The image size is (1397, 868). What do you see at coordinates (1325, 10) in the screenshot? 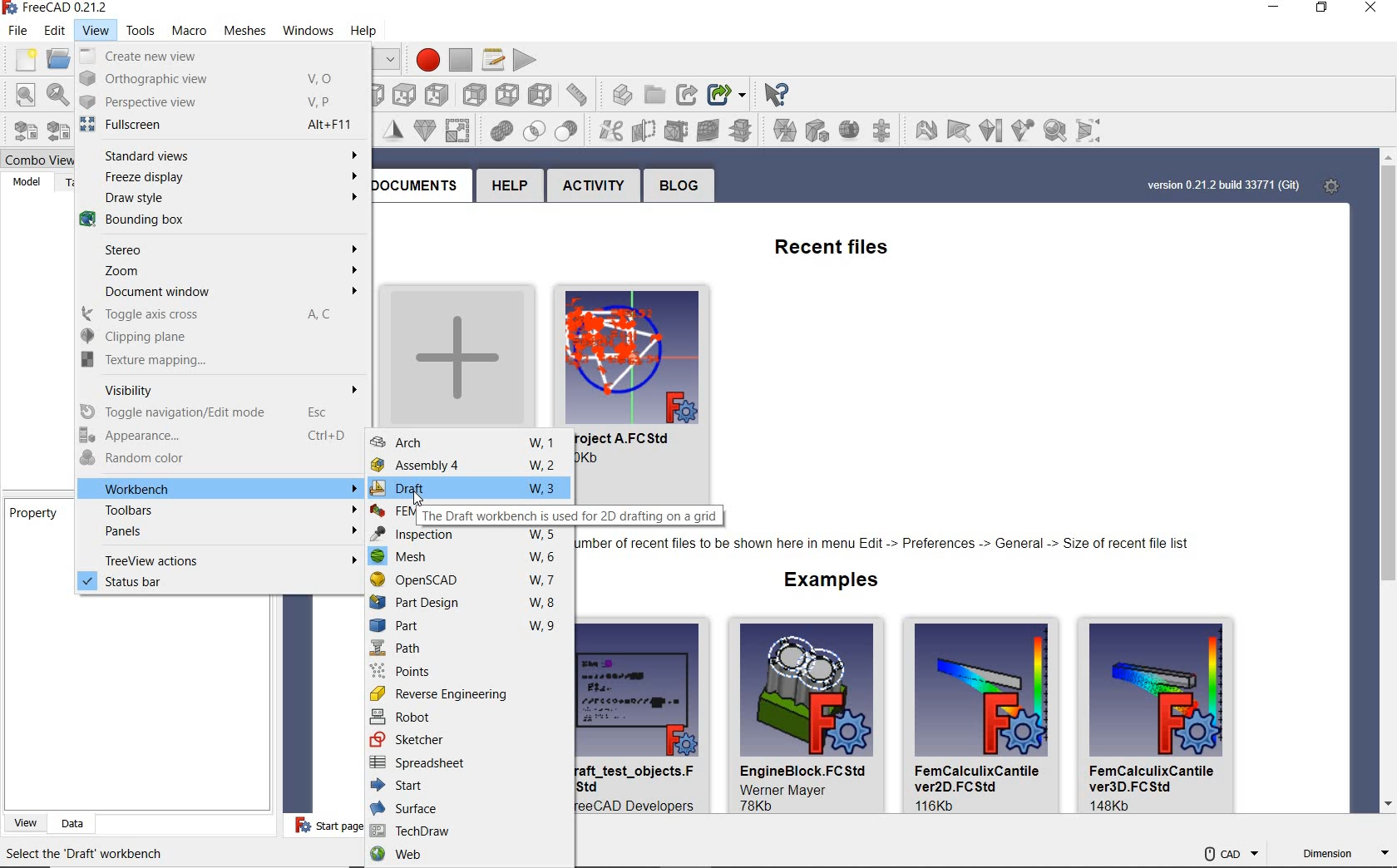
I see `restore down` at bounding box center [1325, 10].